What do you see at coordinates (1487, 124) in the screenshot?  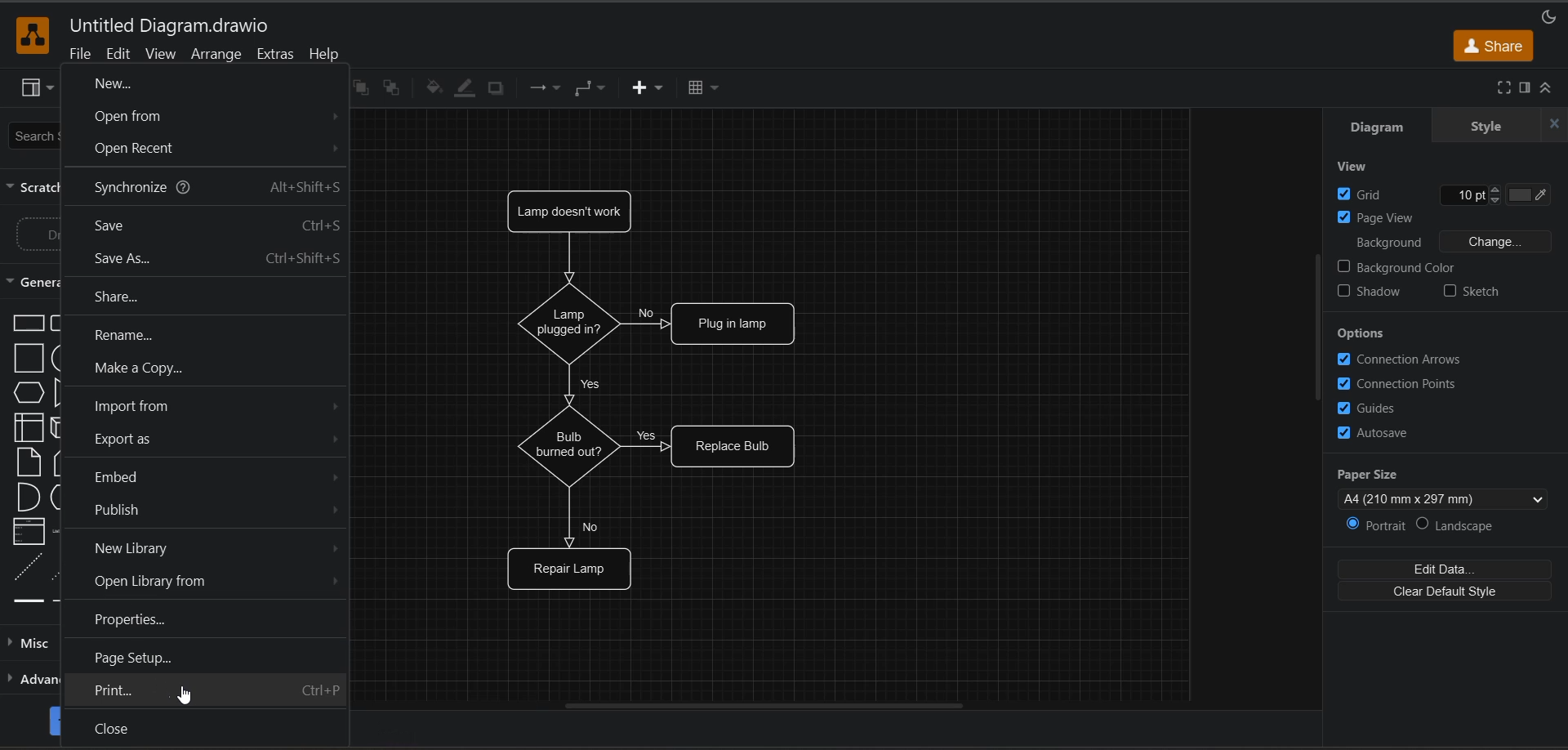 I see `style` at bounding box center [1487, 124].